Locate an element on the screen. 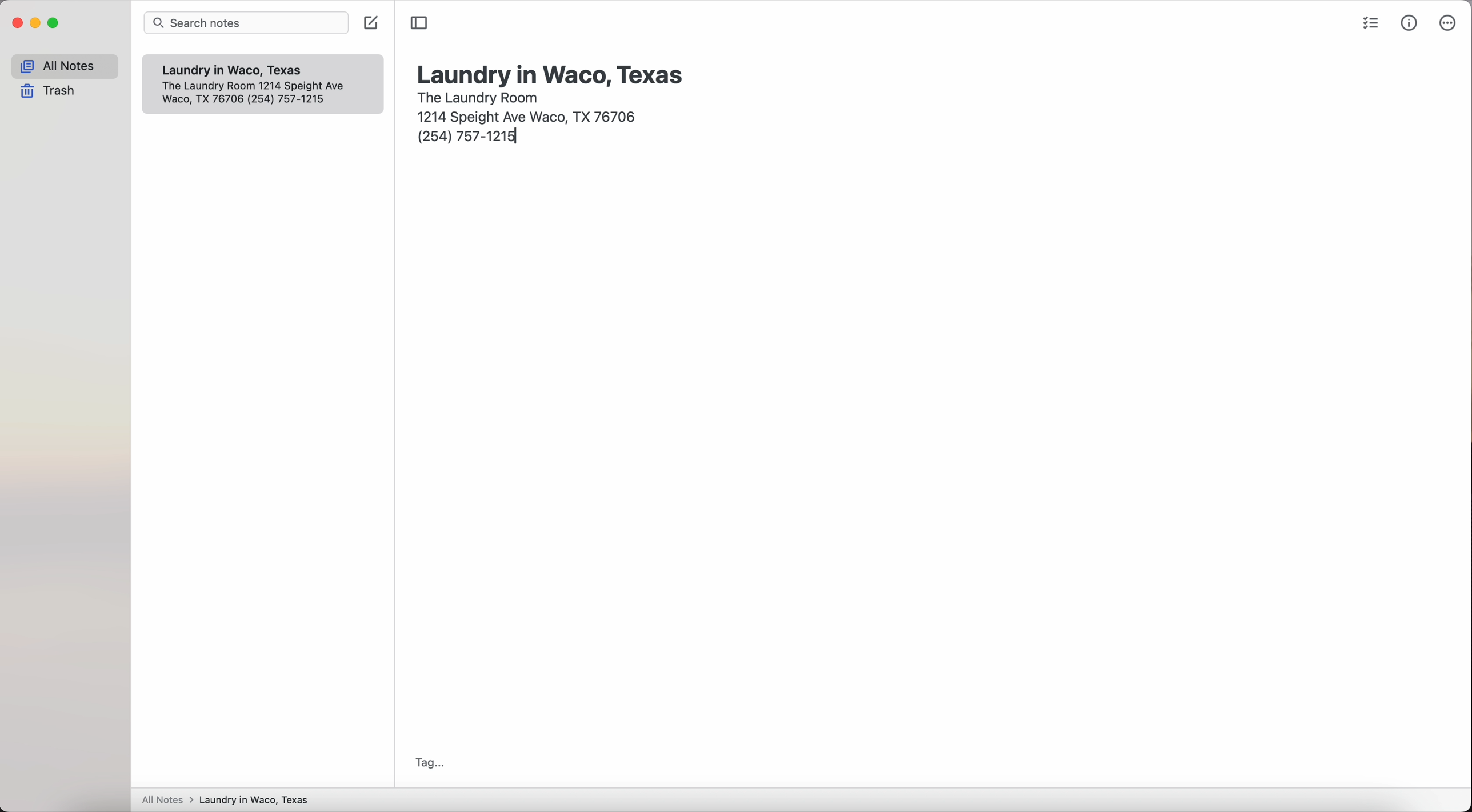 The width and height of the screenshot is (1472, 812). check list is located at coordinates (1368, 25).